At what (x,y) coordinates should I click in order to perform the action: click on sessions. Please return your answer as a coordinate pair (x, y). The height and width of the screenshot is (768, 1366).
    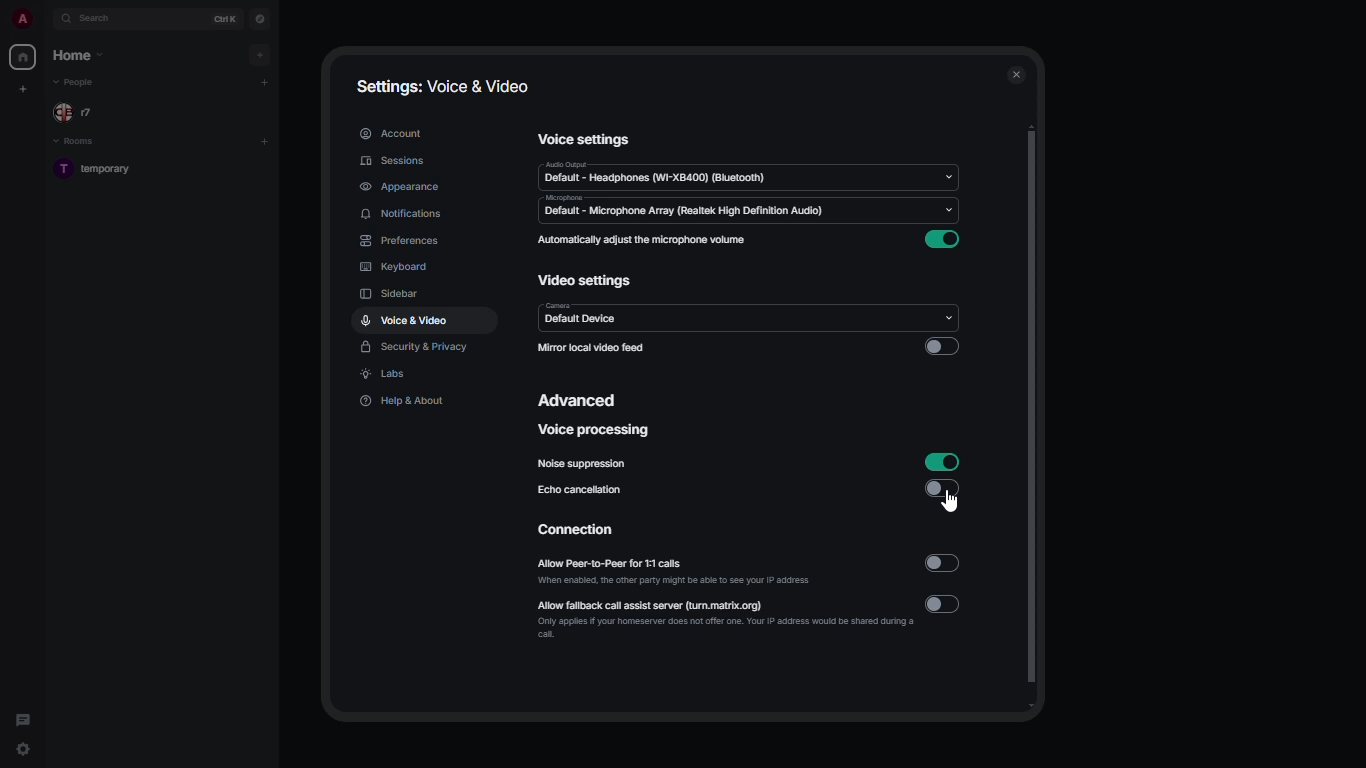
    Looking at the image, I should click on (394, 161).